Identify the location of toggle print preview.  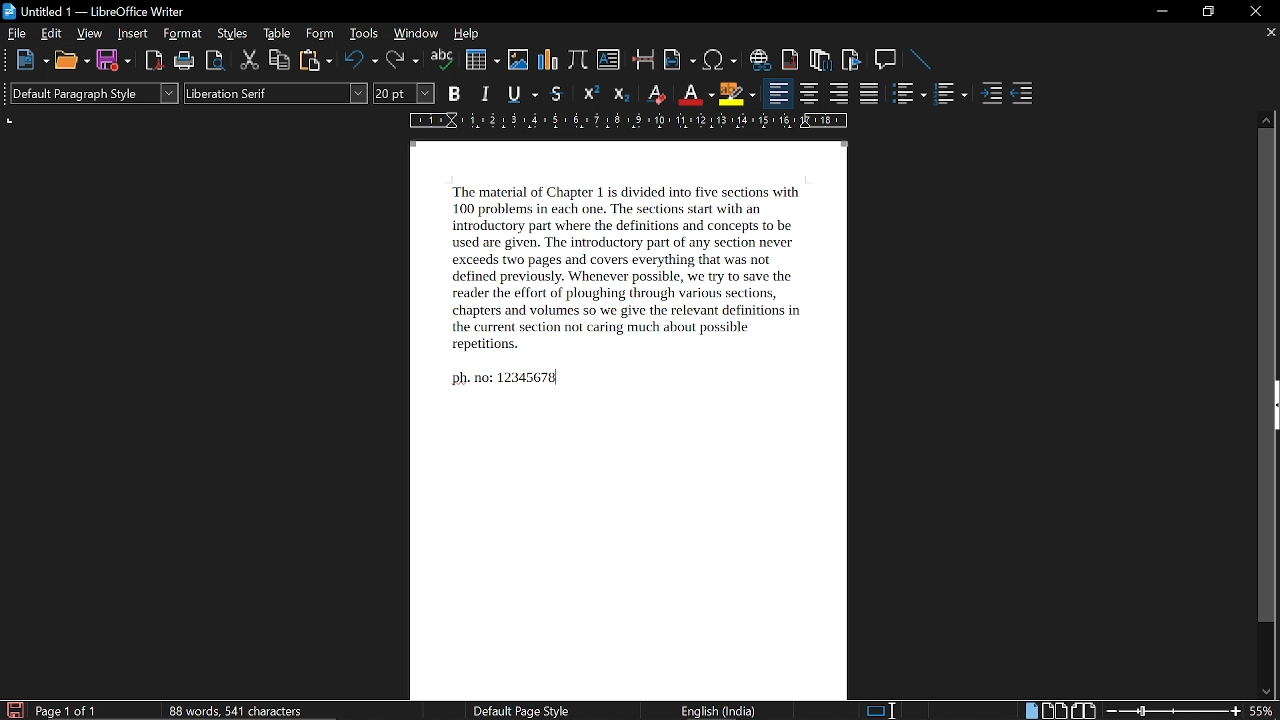
(214, 60).